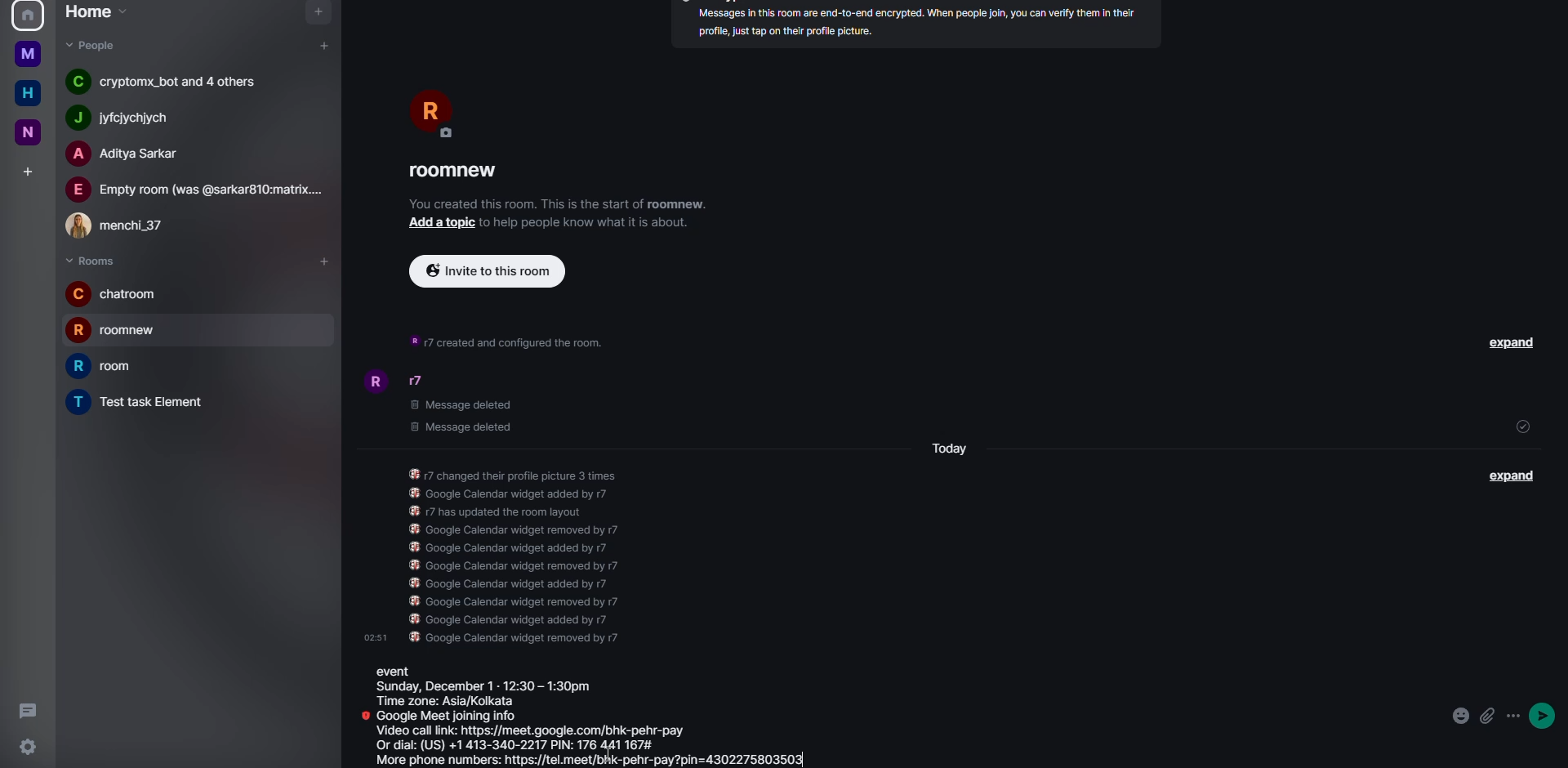 The image size is (1568, 768). What do you see at coordinates (1509, 714) in the screenshot?
I see `options` at bounding box center [1509, 714].